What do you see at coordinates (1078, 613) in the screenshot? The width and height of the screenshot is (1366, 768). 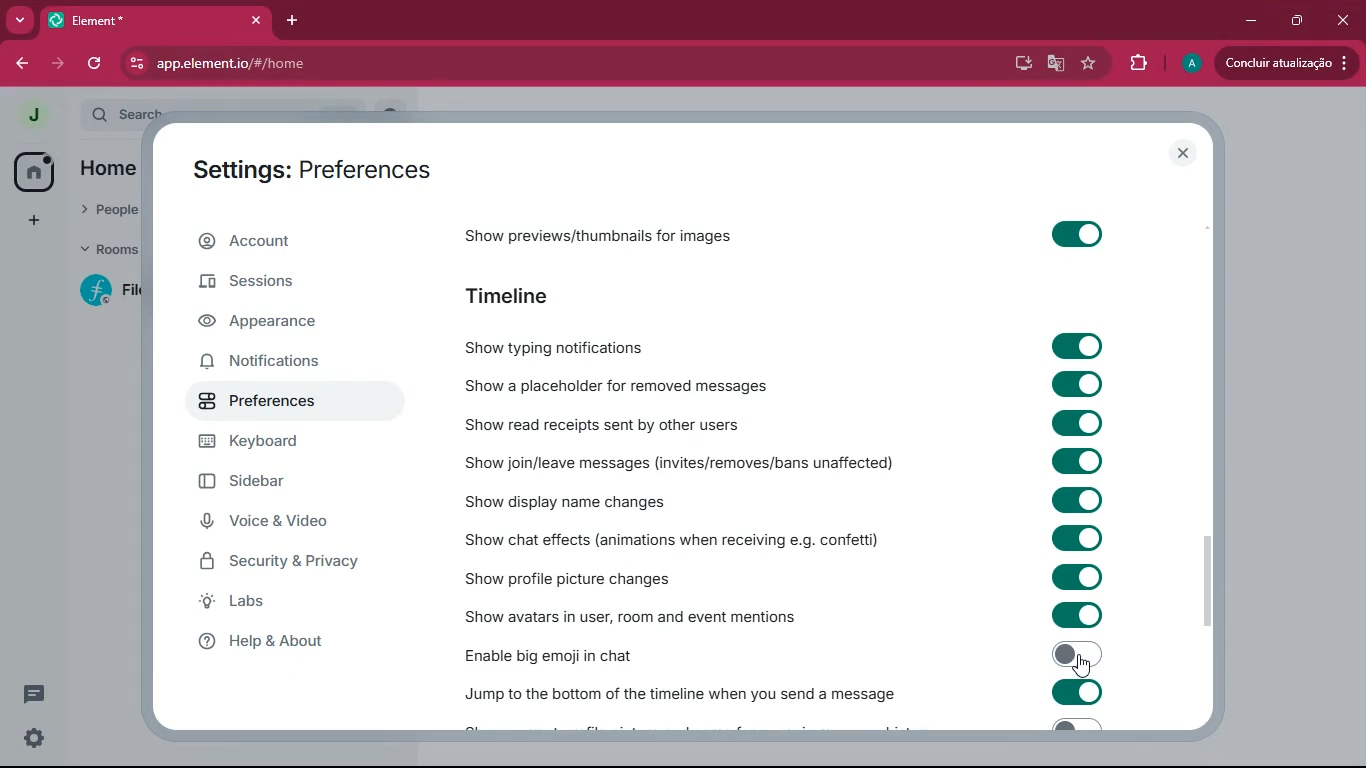 I see `toggle on ` at bounding box center [1078, 613].